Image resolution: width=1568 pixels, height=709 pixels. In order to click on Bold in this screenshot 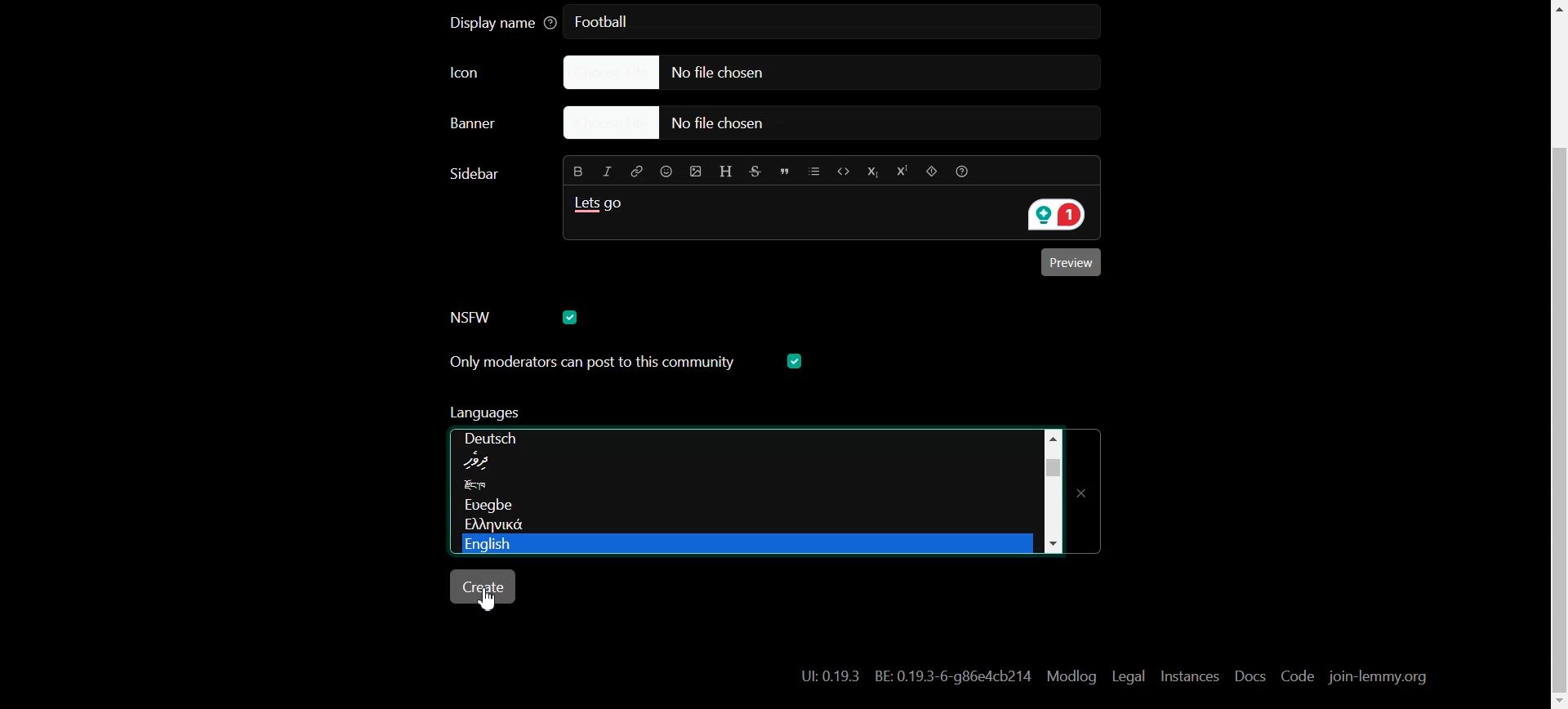, I will do `click(576, 171)`.